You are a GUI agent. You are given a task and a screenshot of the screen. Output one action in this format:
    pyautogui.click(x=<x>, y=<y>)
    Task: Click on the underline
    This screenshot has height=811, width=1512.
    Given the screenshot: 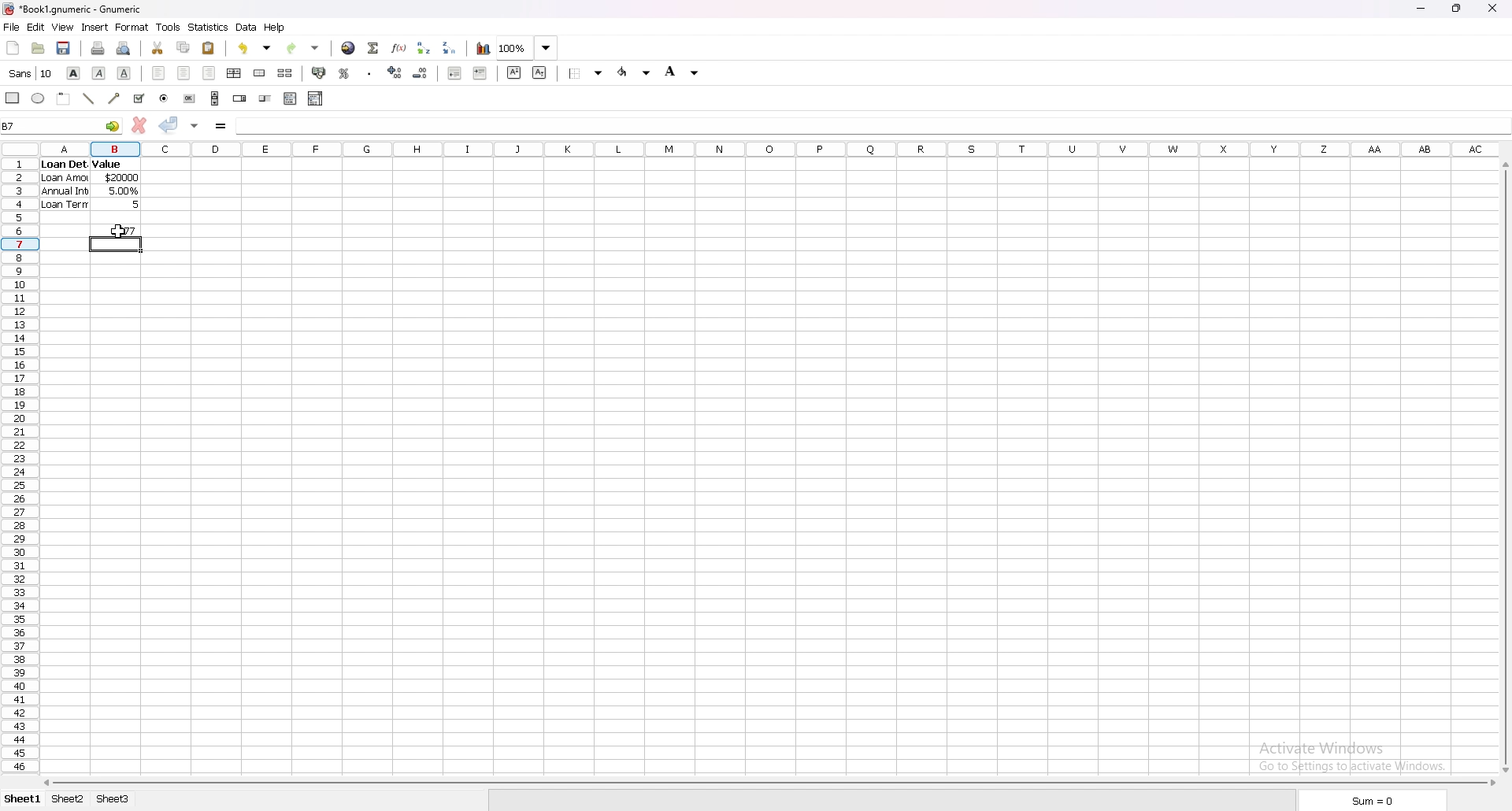 What is the action you would take?
    pyautogui.click(x=124, y=72)
    